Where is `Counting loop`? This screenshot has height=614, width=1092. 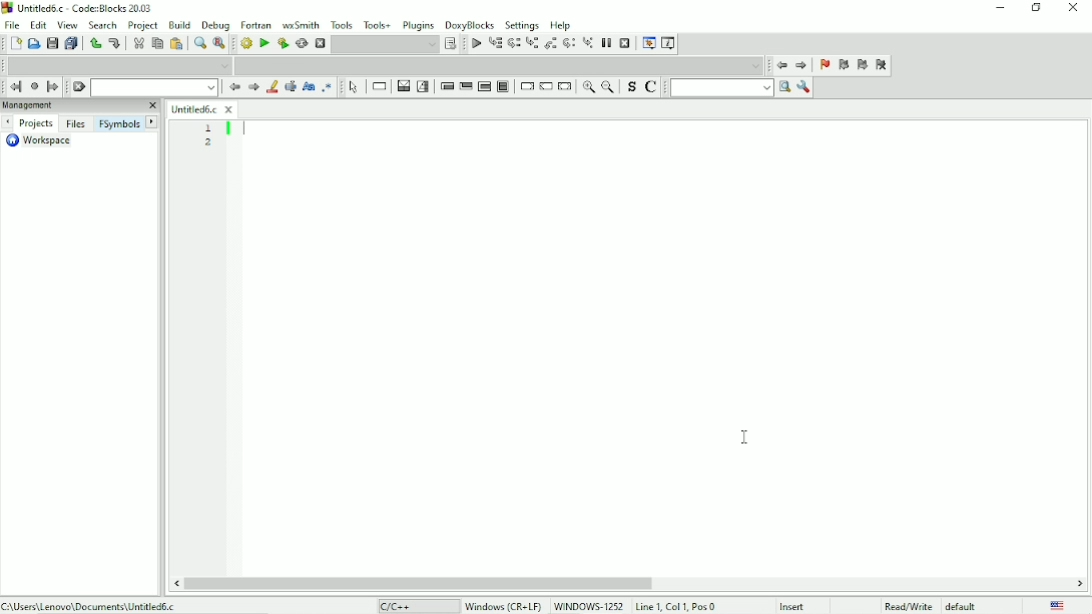
Counting loop is located at coordinates (484, 86).